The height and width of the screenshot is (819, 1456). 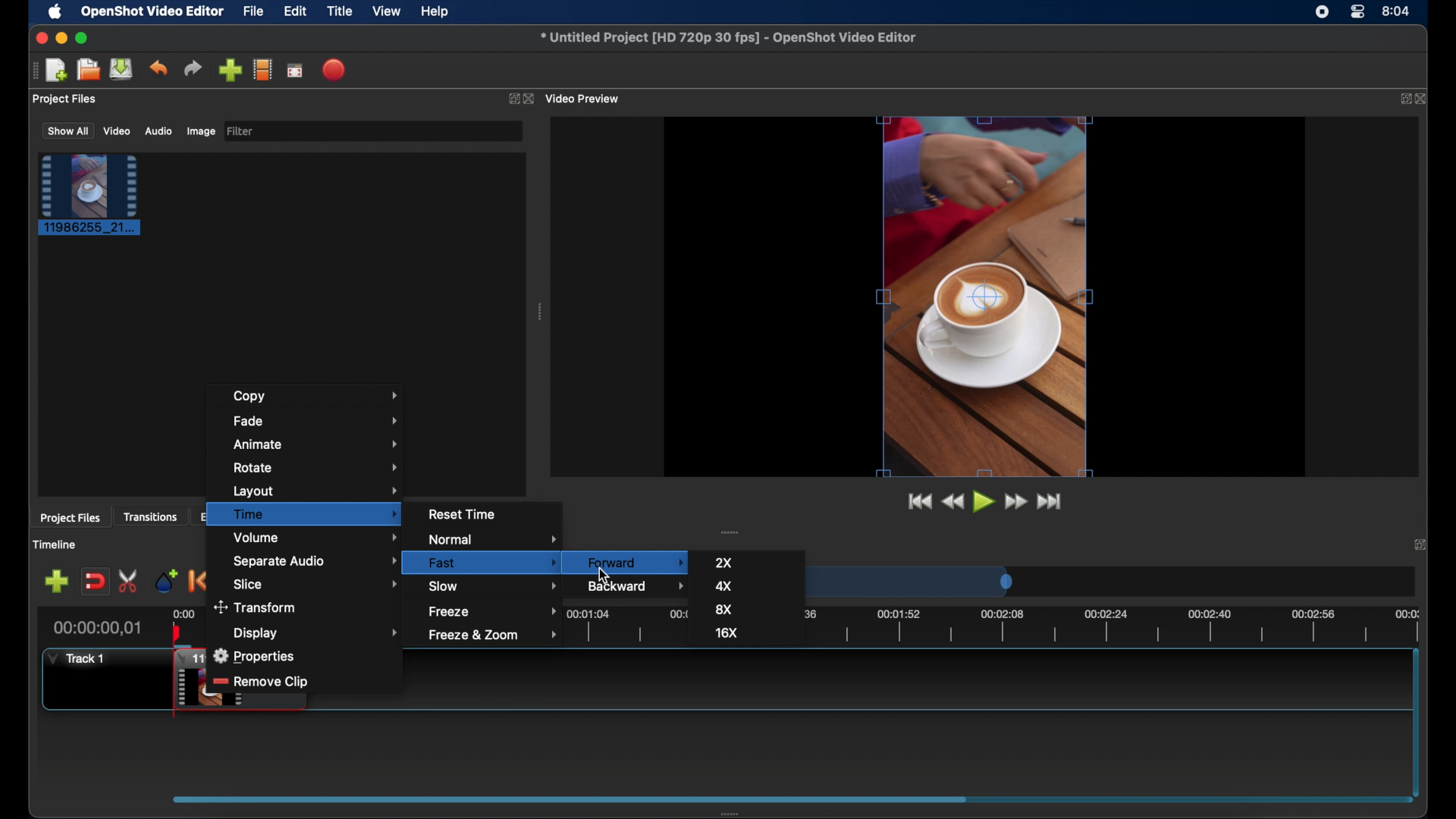 What do you see at coordinates (568, 797) in the screenshot?
I see `scroll box` at bounding box center [568, 797].